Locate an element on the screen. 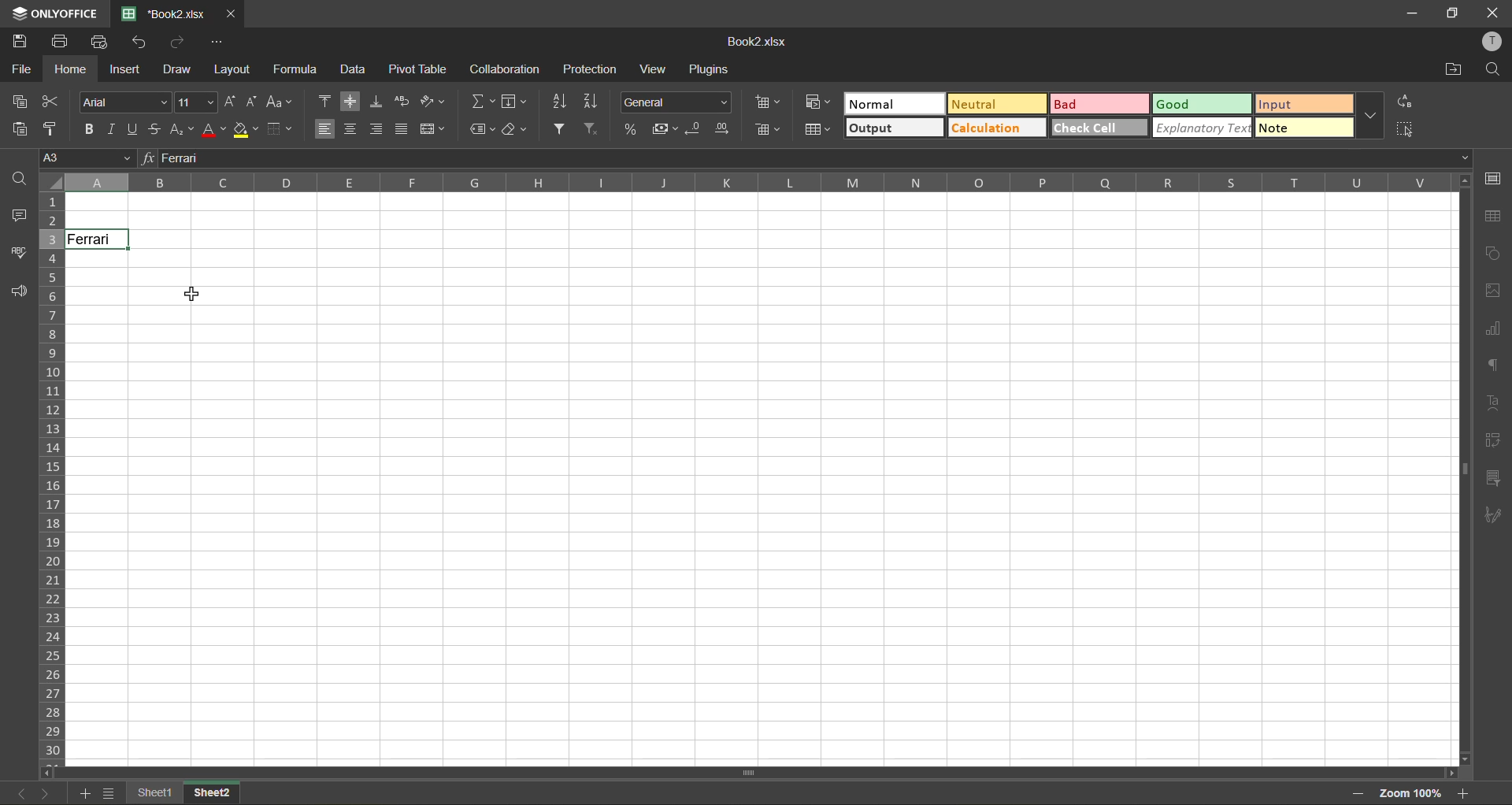  accounting is located at coordinates (663, 127).